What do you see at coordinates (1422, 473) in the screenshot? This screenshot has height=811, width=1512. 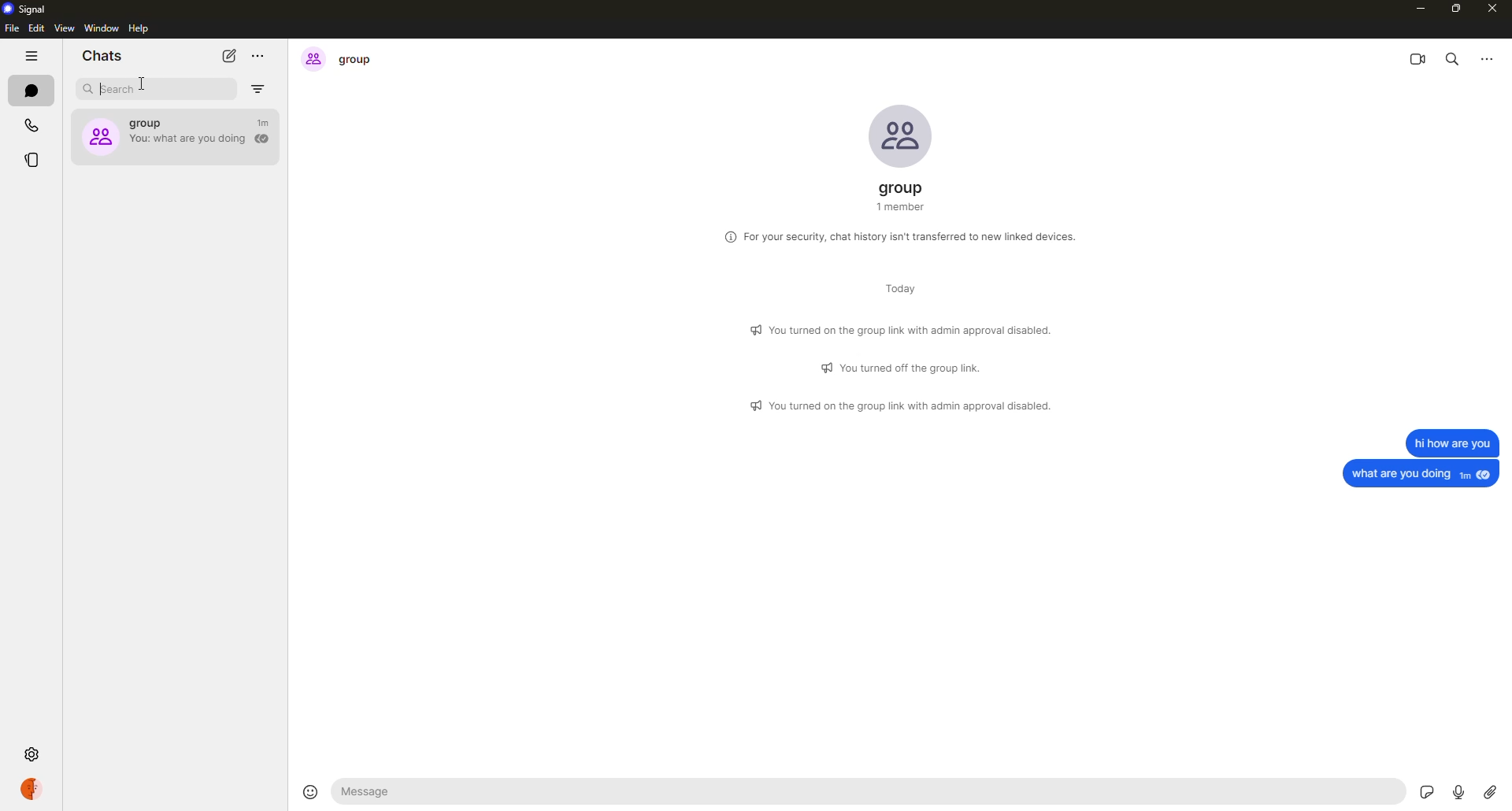 I see `message` at bounding box center [1422, 473].